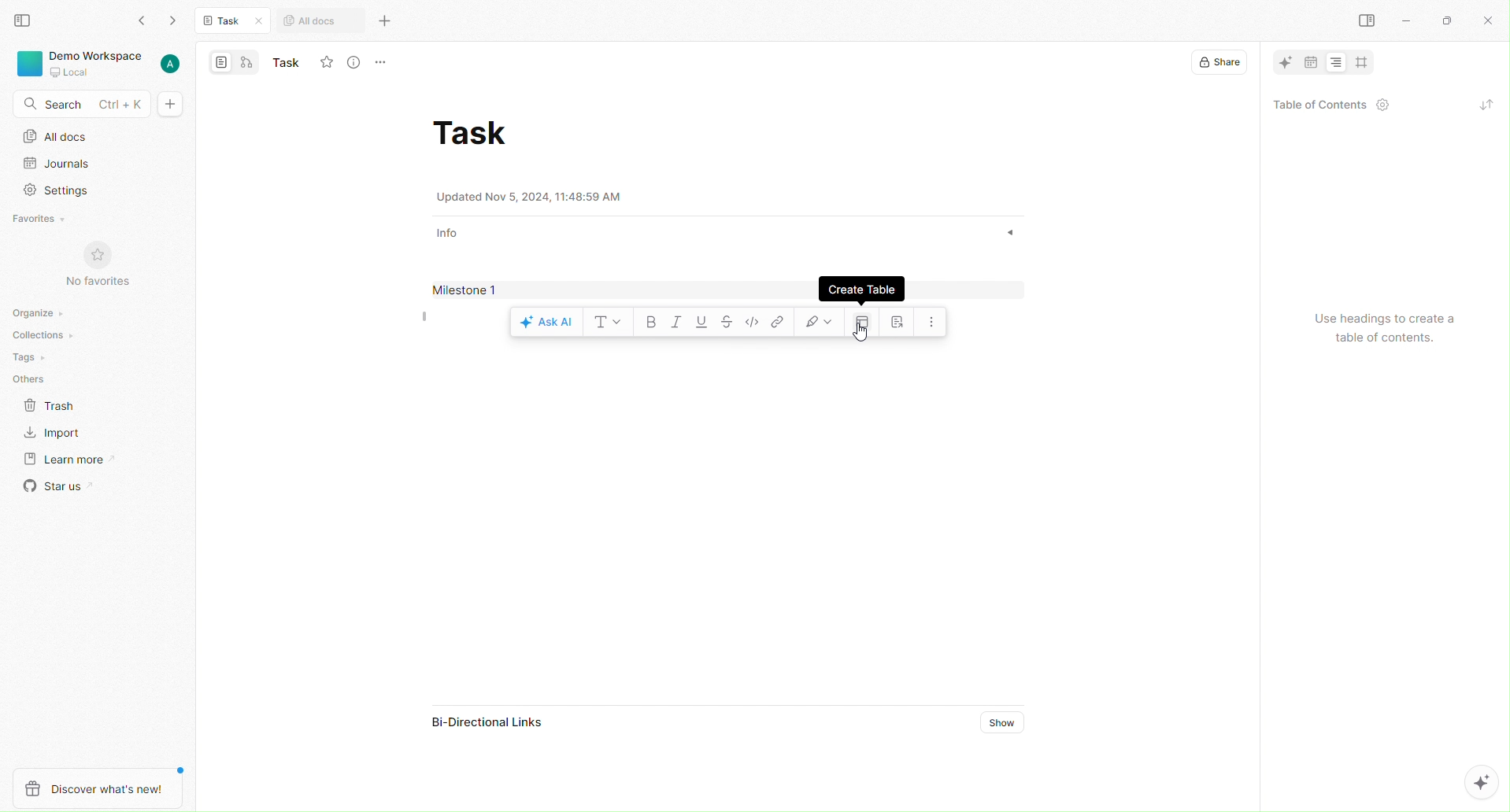 The width and height of the screenshot is (1510, 812). I want to click on Close, so click(1487, 19).